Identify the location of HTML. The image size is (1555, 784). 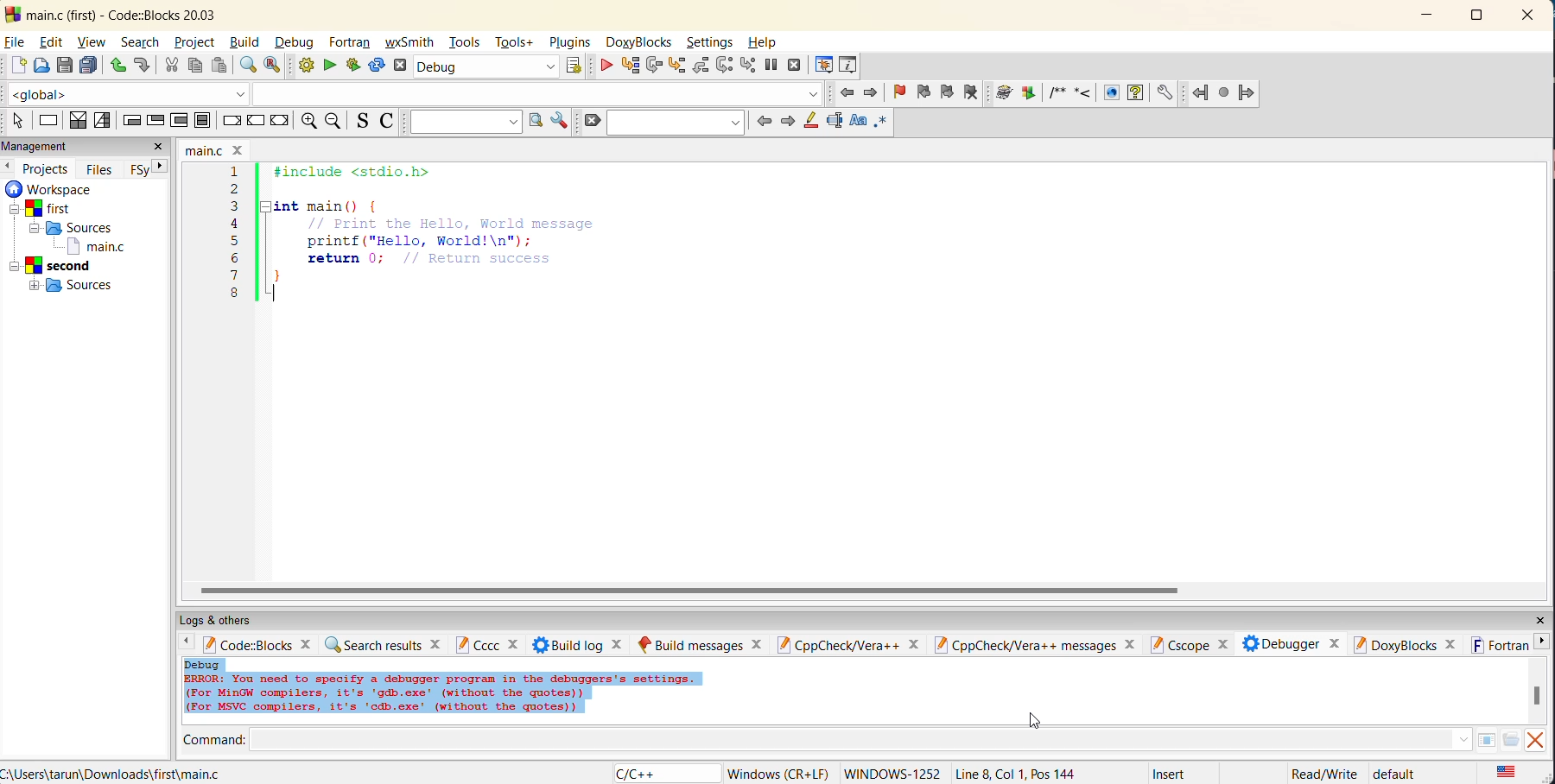
(1108, 93).